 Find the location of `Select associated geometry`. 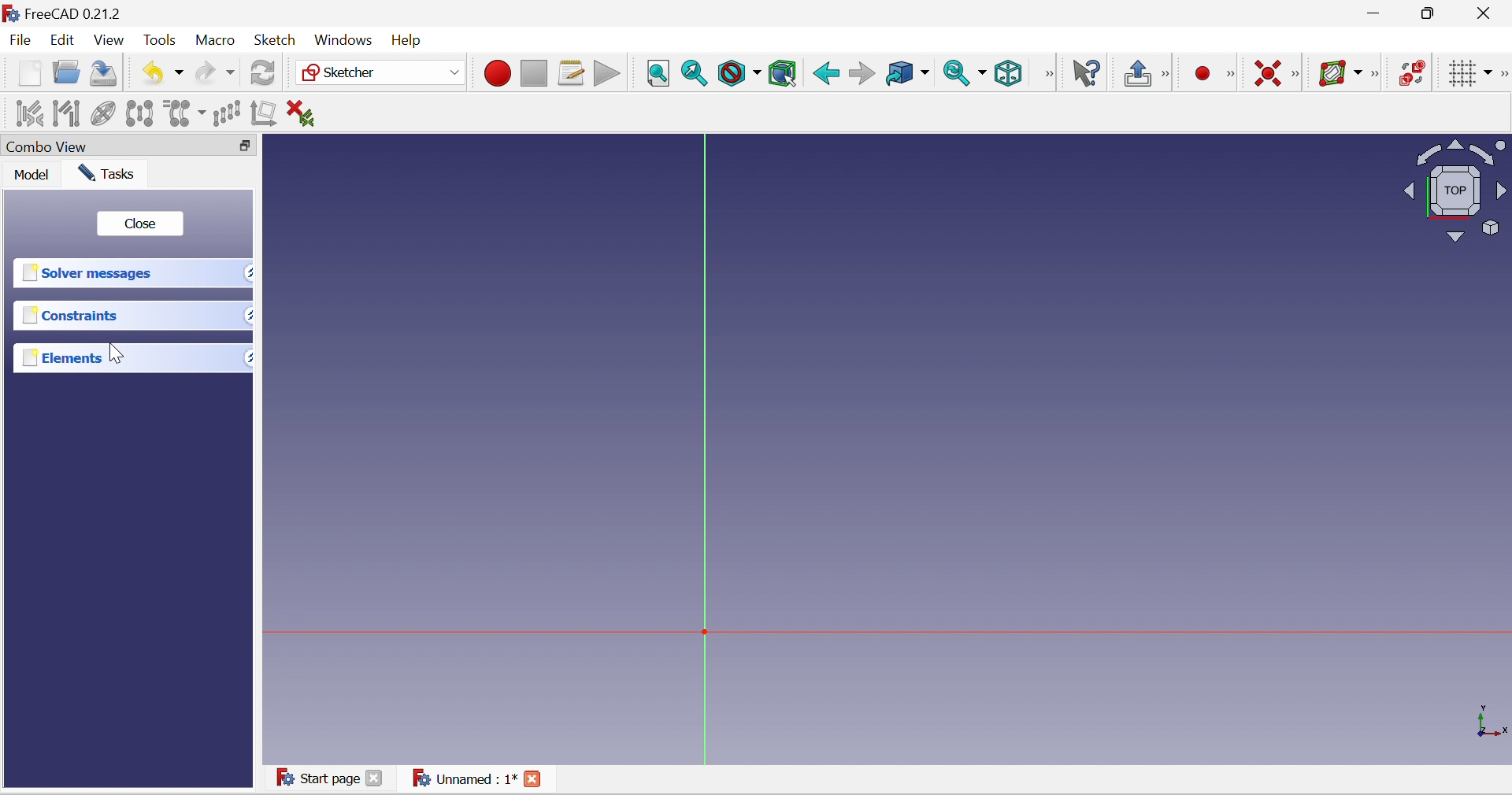

Select associated geometry is located at coordinates (67, 114).